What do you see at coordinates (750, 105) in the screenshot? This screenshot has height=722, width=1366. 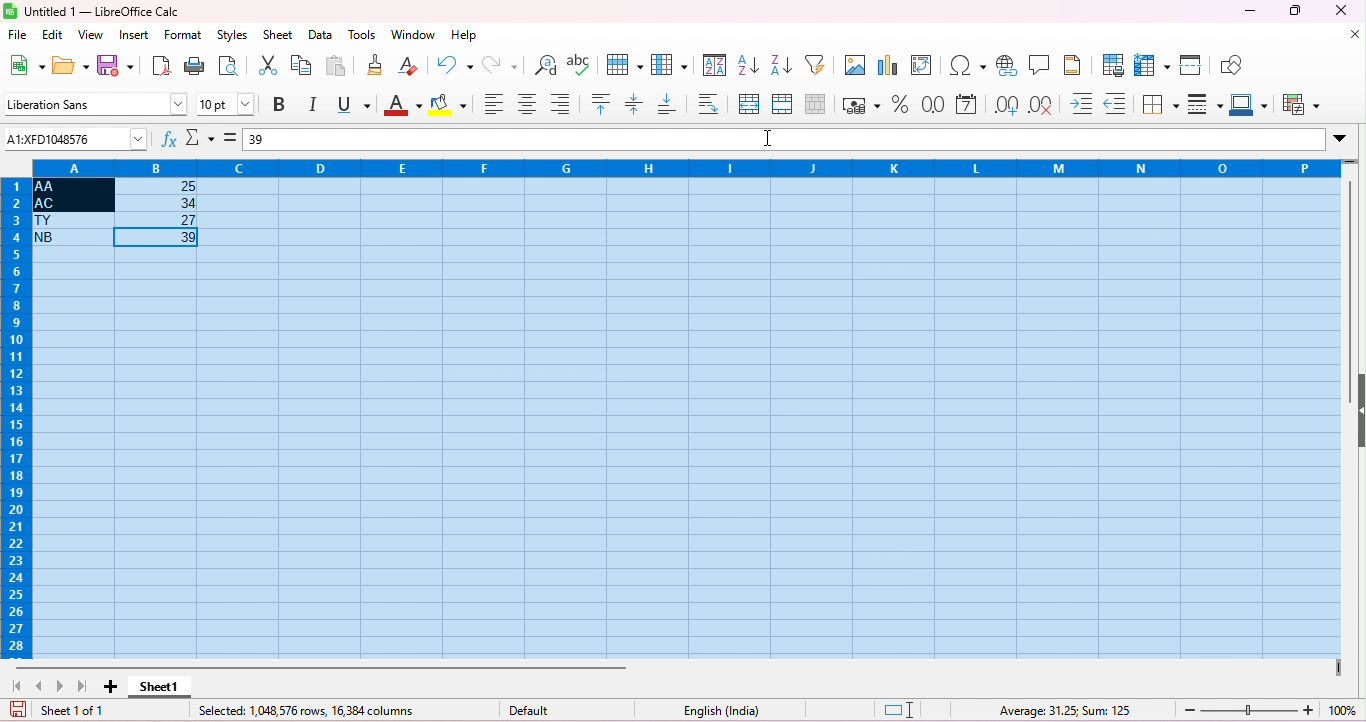 I see `merge and center` at bounding box center [750, 105].